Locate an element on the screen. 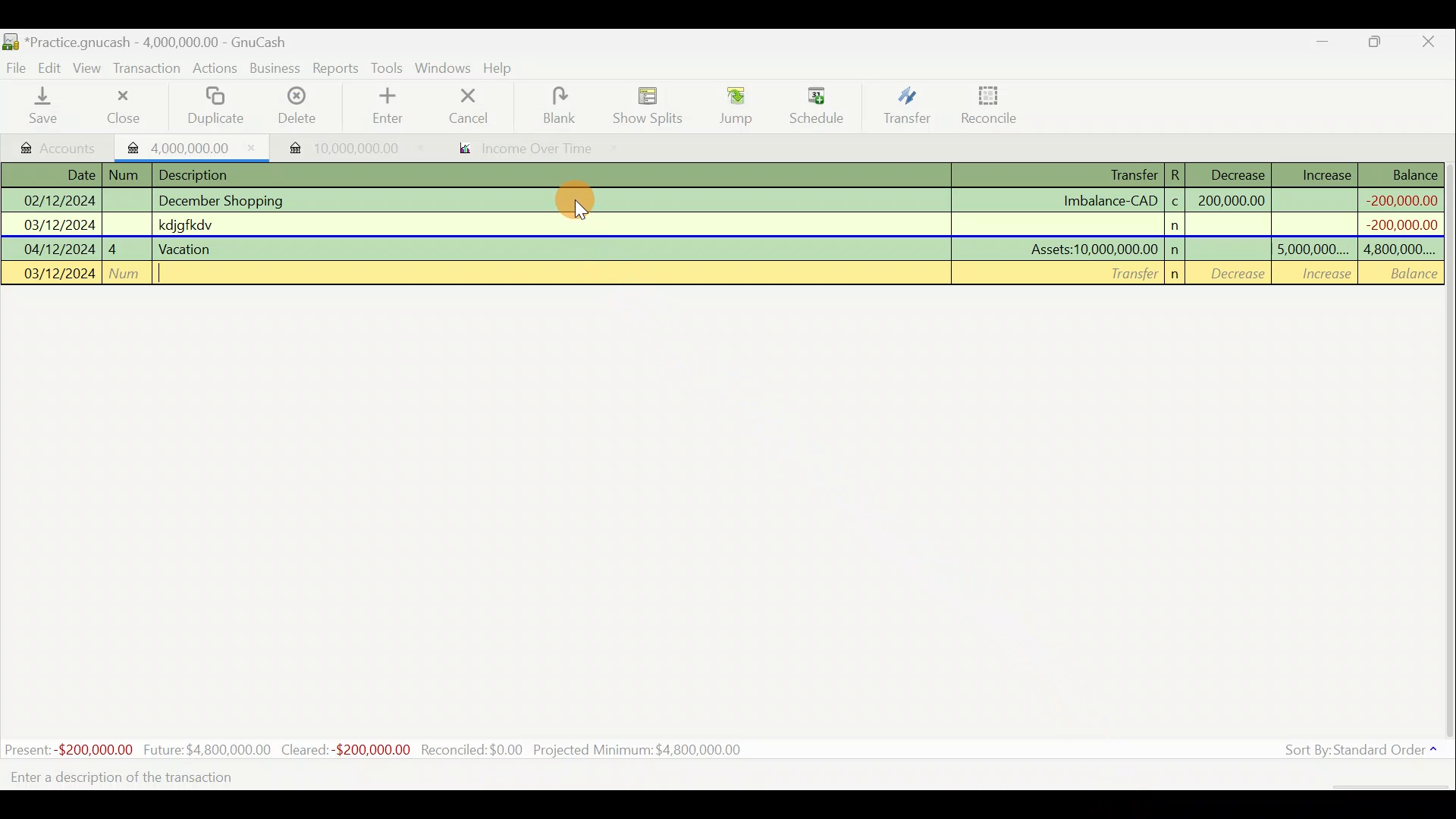 The height and width of the screenshot is (819, 1456). Report is located at coordinates (520, 150).